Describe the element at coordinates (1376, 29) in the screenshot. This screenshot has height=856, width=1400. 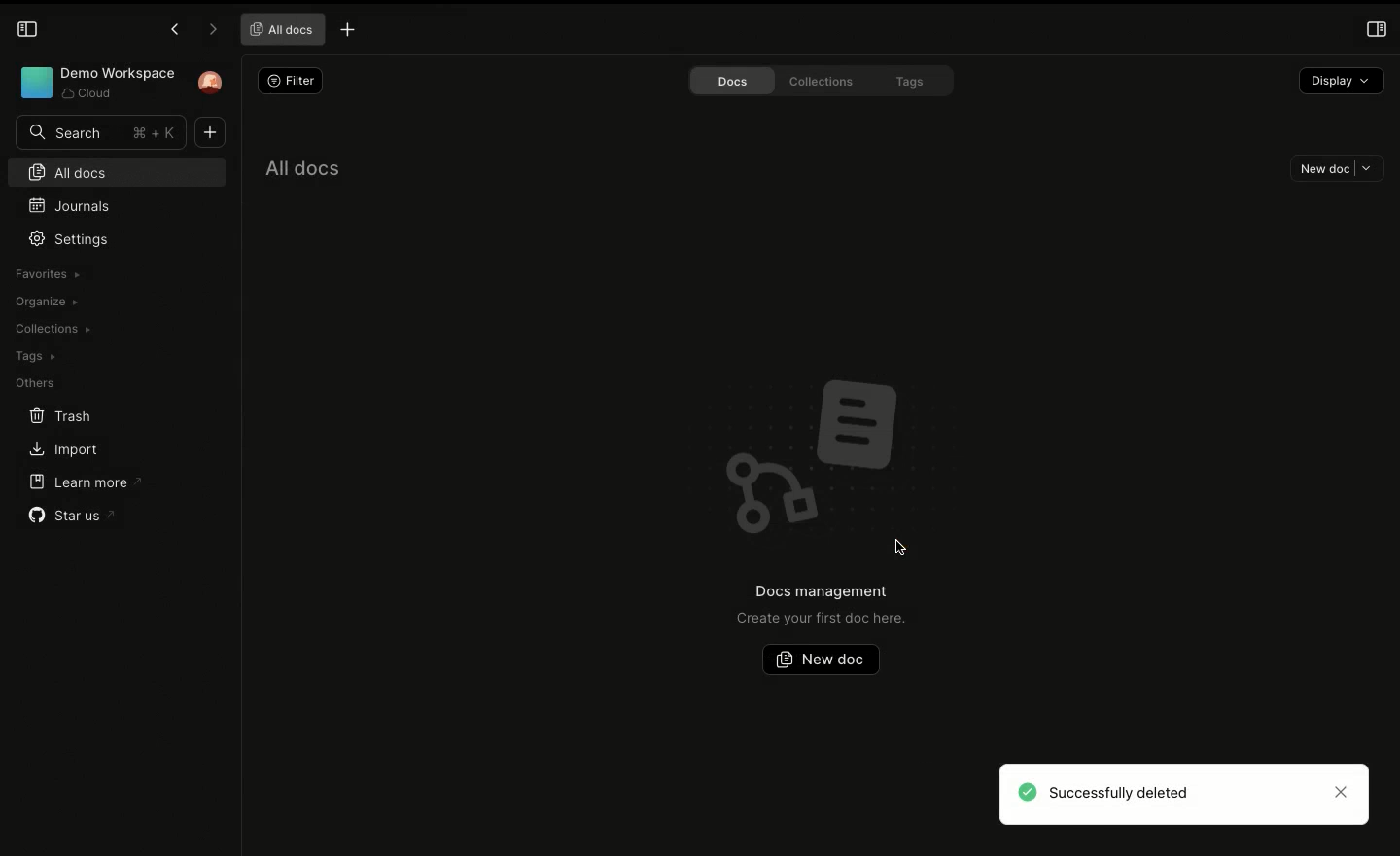
I see `Open right panel` at that location.